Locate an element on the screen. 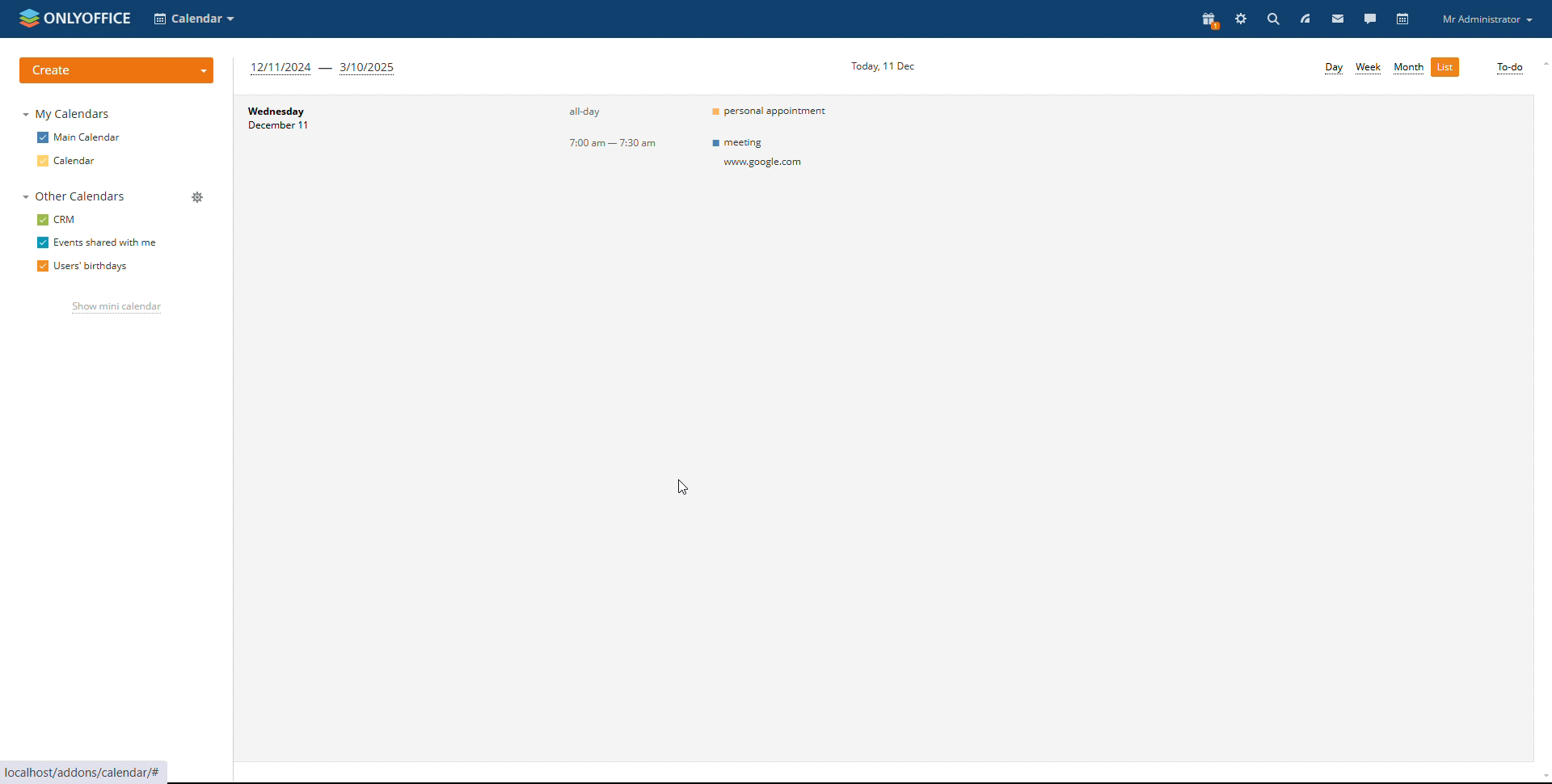 Image resolution: width=1552 pixels, height=784 pixels. crm is located at coordinates (58, 220).